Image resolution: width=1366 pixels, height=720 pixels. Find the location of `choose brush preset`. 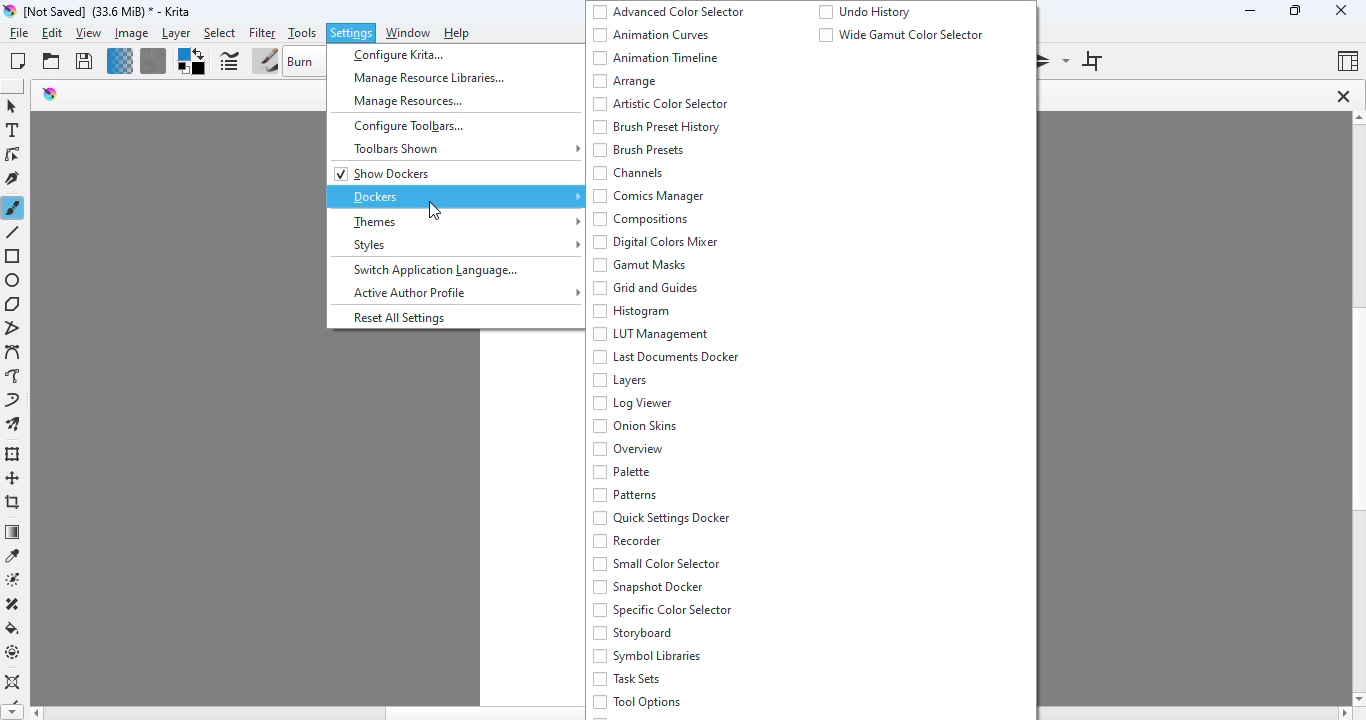

choose brush preset is located at coordinates (265, 62).